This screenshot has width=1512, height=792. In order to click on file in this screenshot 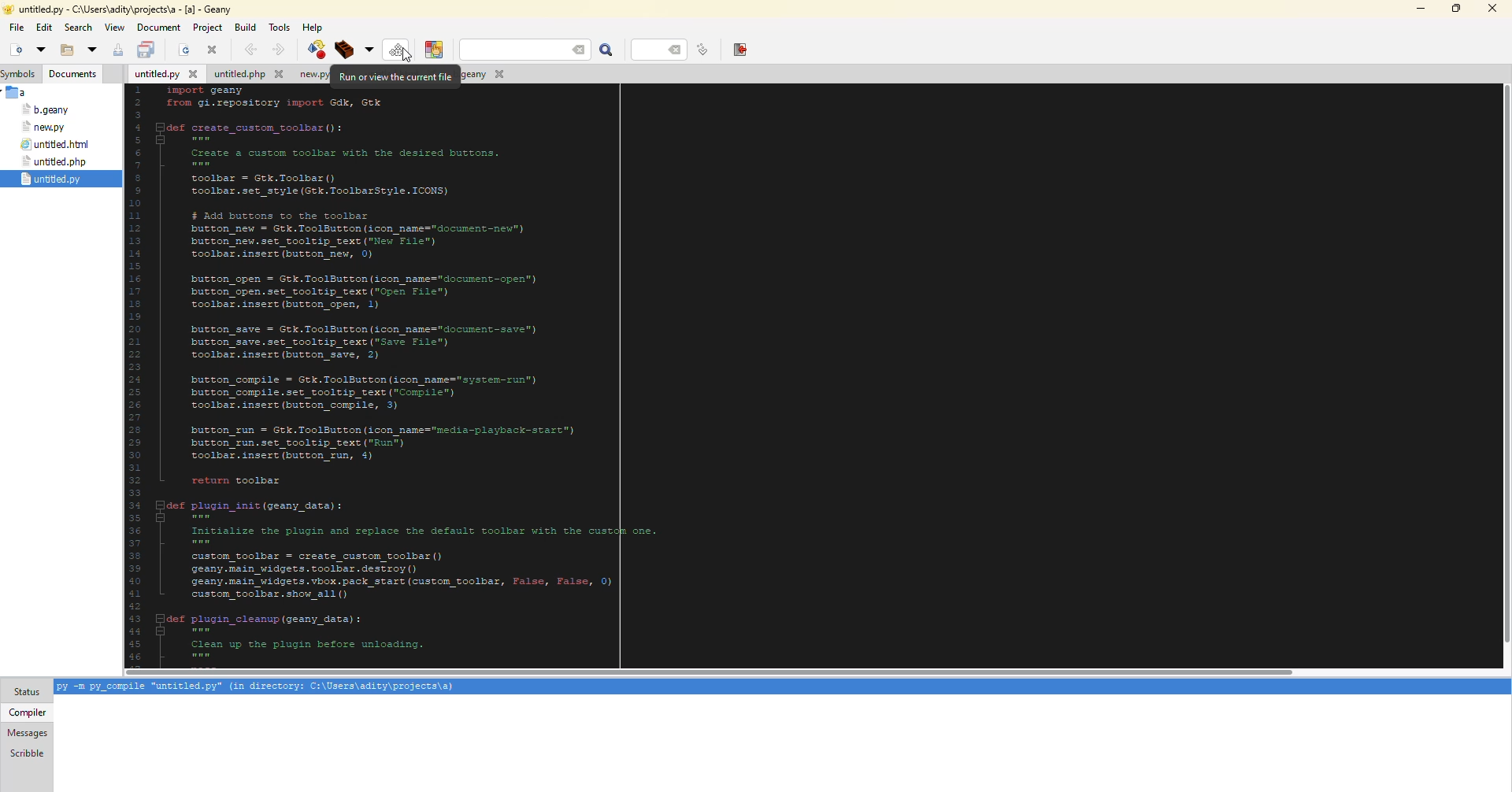, I will do `click(46, 127)`.